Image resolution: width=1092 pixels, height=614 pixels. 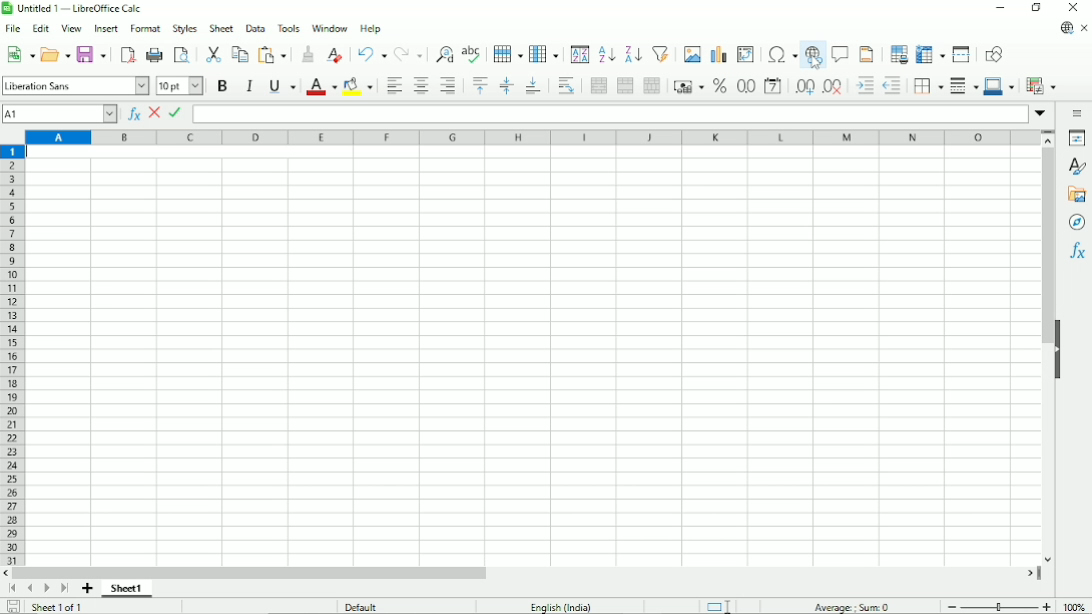 What do you see at coordinates (745, 86) in the screenshot?
I see `Format as number` at bounding box center [745, 86].